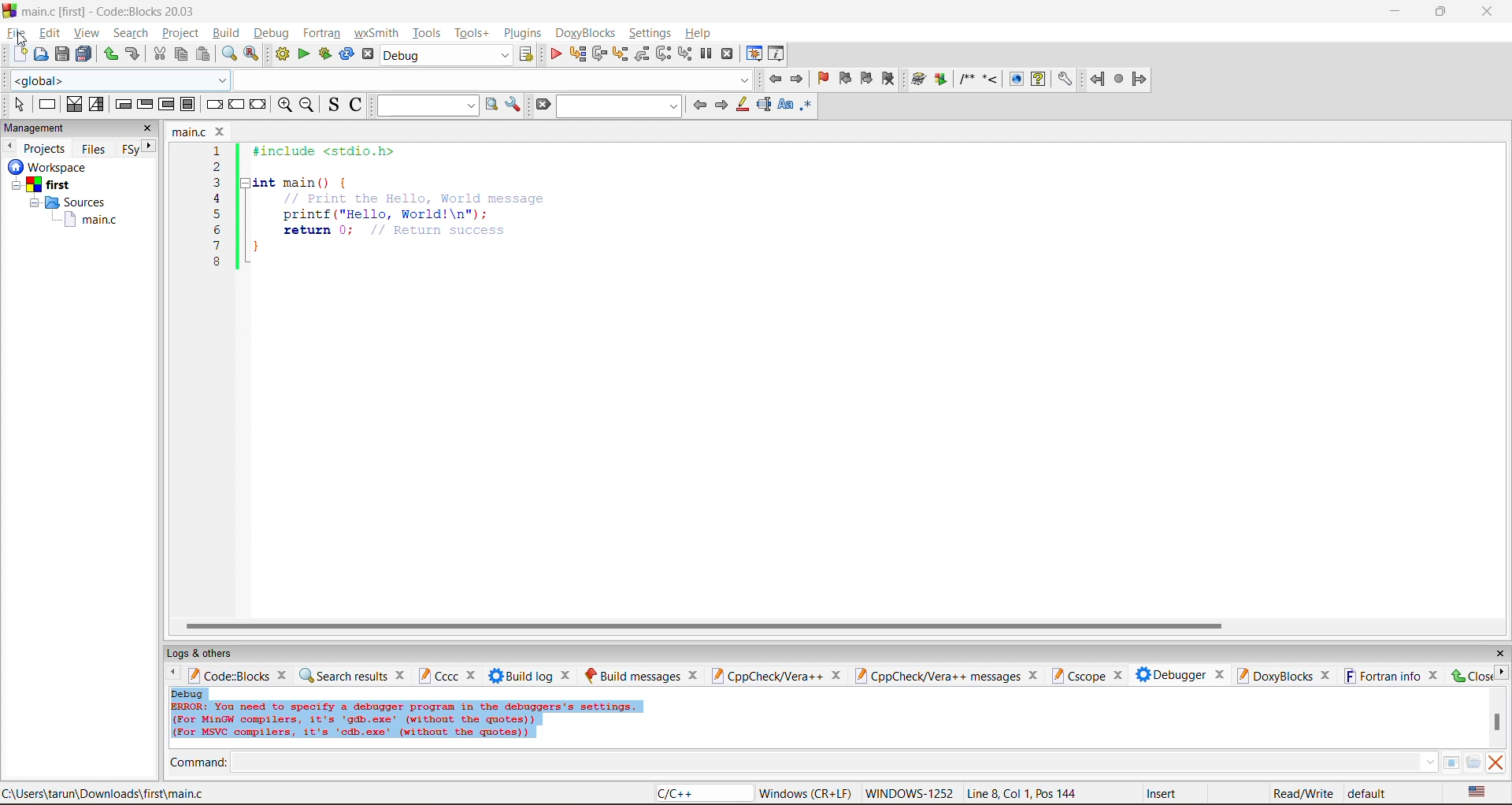 This screenshot has width=1512, height=805. I want to click on jump forward, so click(799, 78).